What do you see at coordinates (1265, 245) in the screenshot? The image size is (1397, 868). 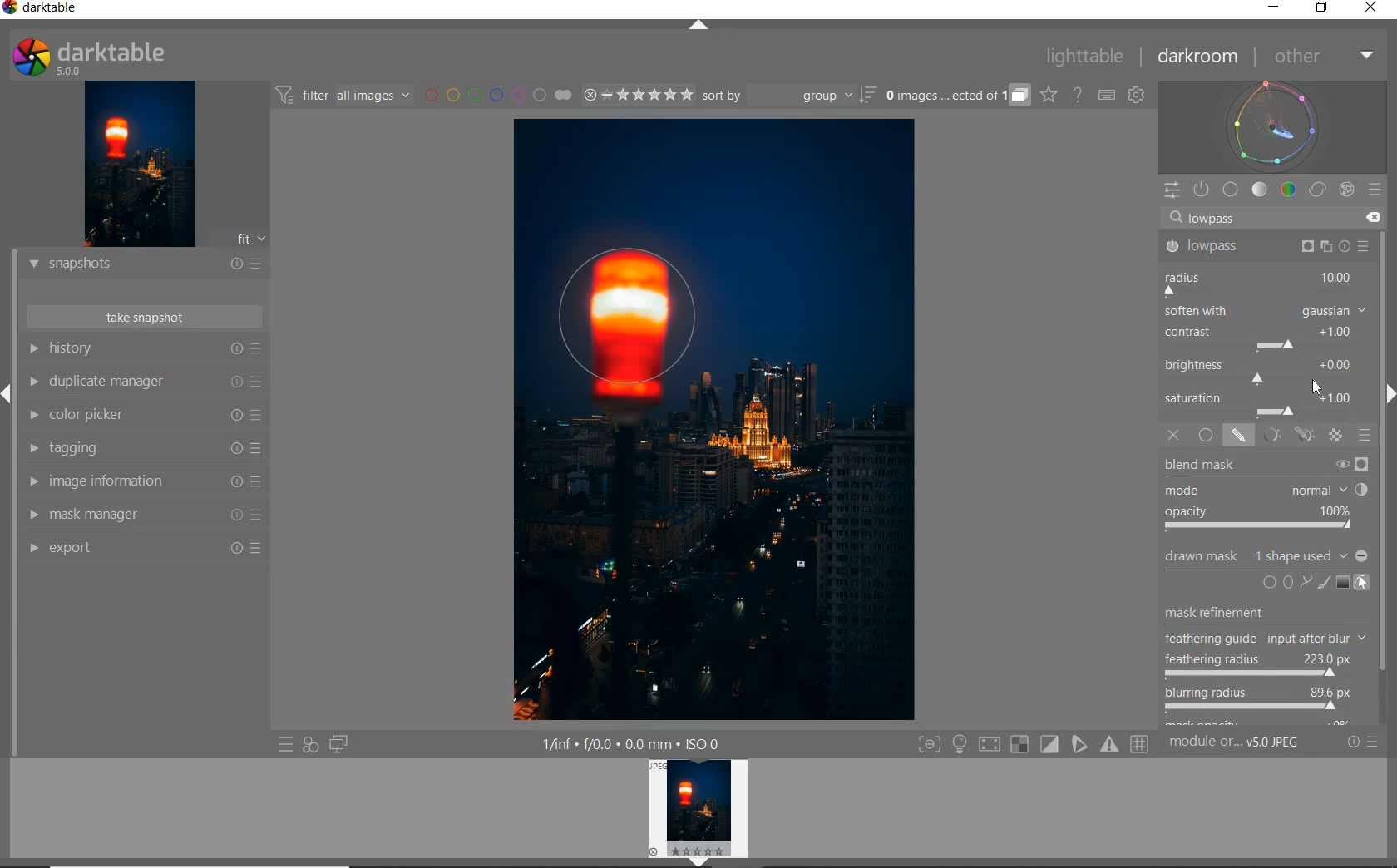 I see `LOWPASS` at bounding box center [1265, 245].